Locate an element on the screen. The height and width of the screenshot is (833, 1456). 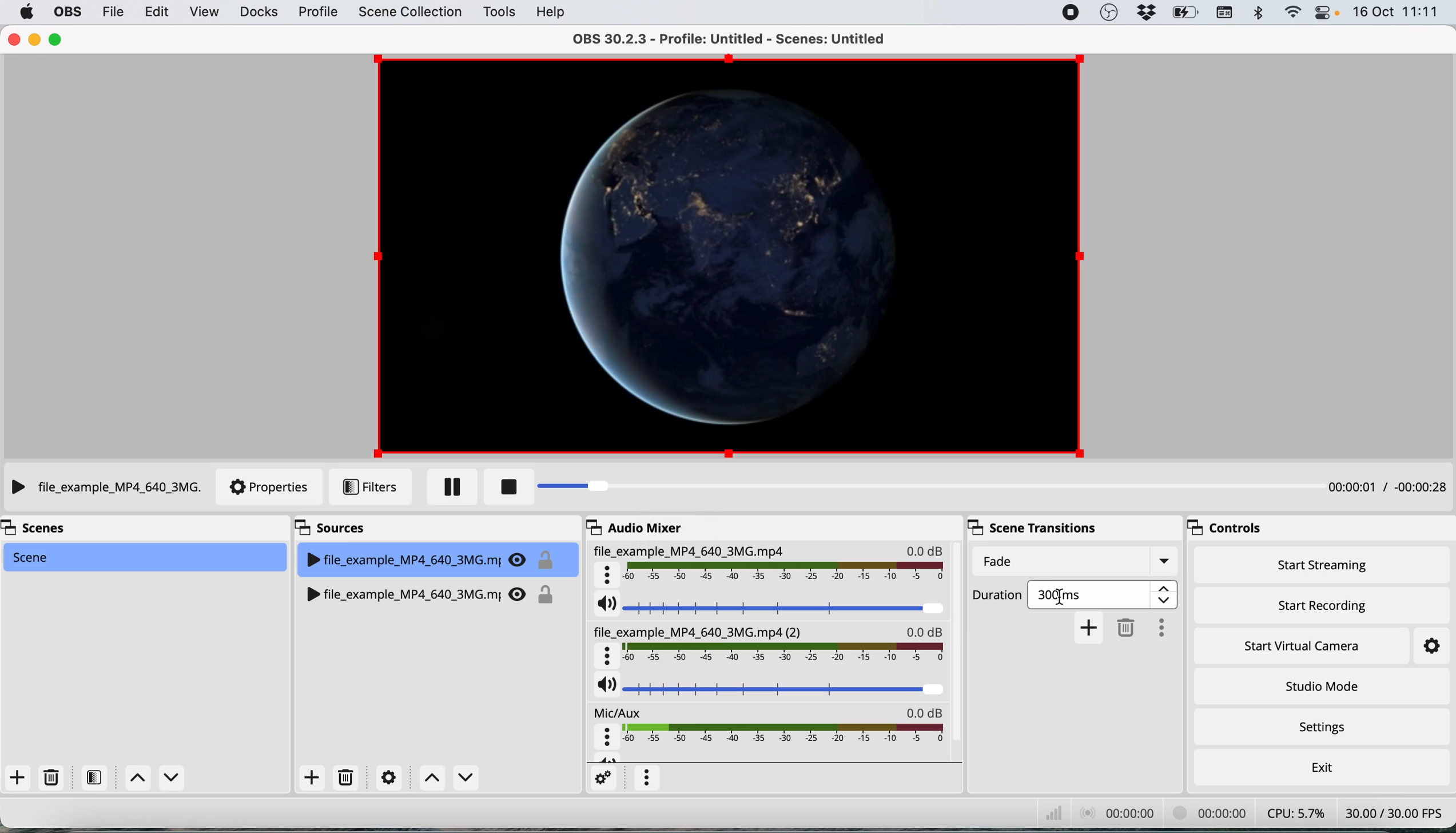
screen recorder is located at coordinates (1069, 13).